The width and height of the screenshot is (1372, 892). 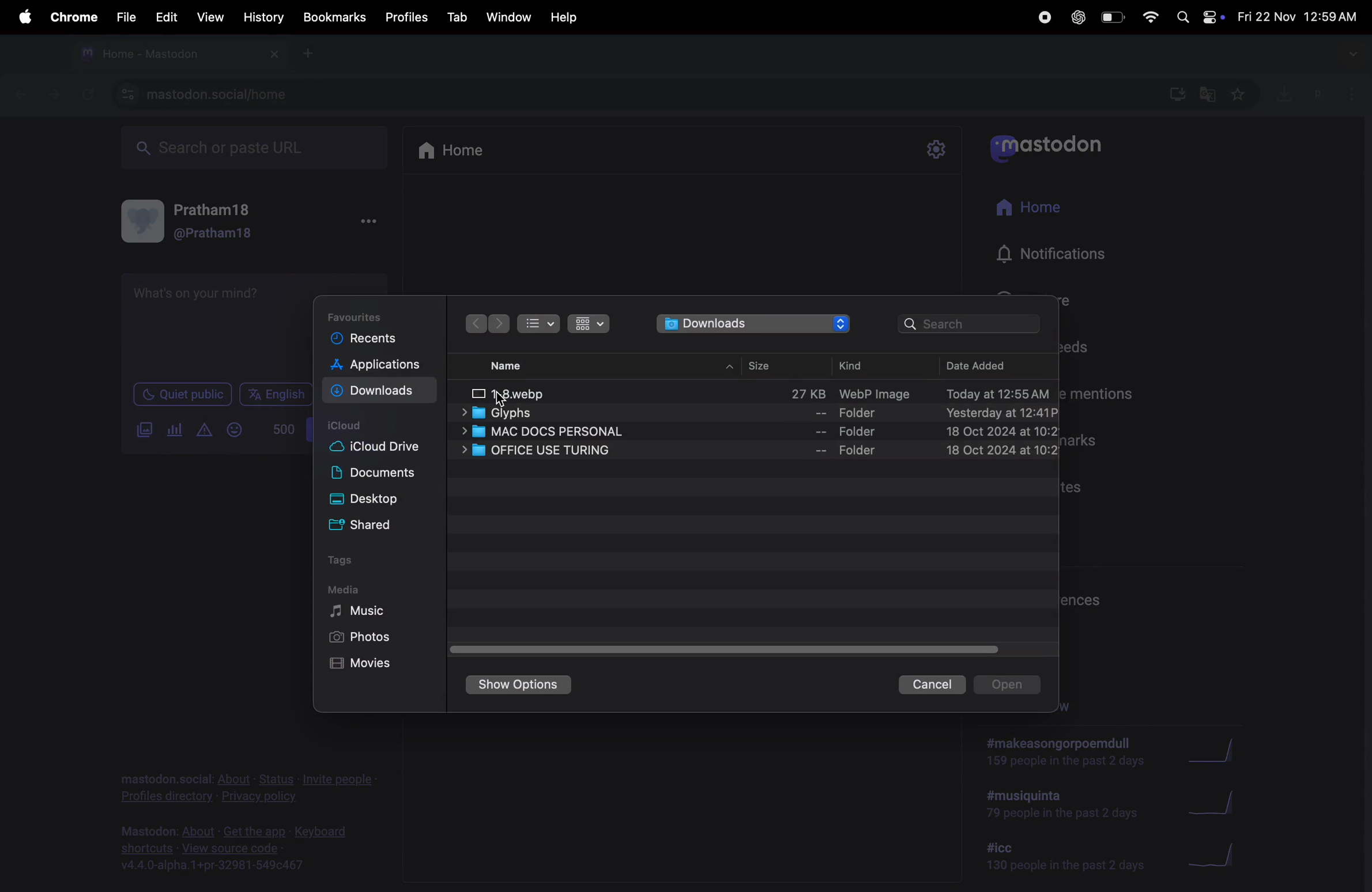 What do you see at coordinates (272, 394) in the screenshot?
I see `english` at bounding box center [272, 394].